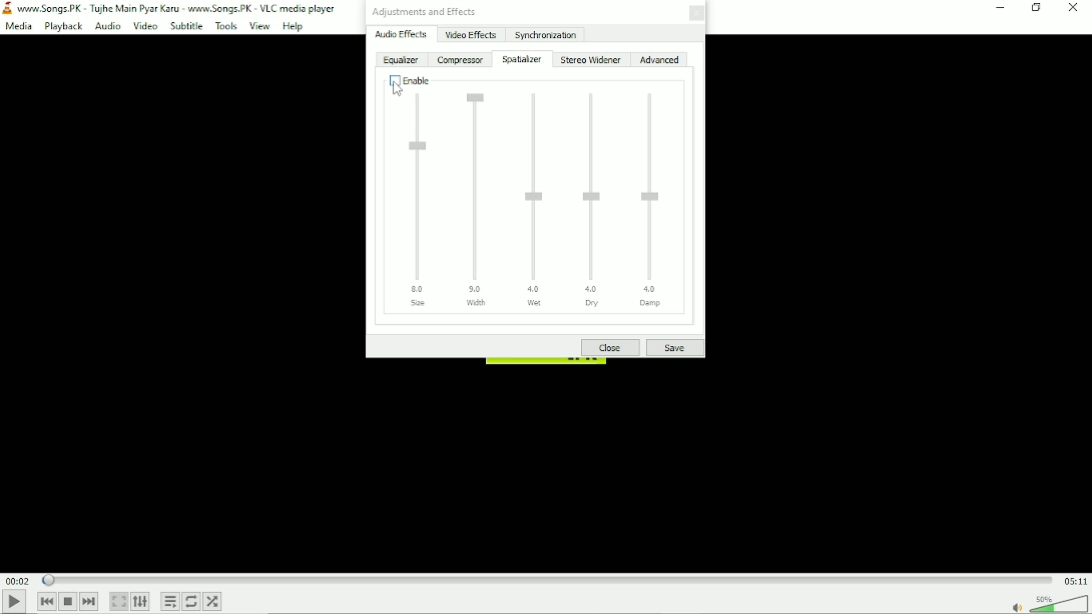 This screenshot has width=1092, height=614. I want to click on www.Songs.PK - Tujhe Main Pyar Karu - www.Songs.PK - VLC media player, so click(171, 8).